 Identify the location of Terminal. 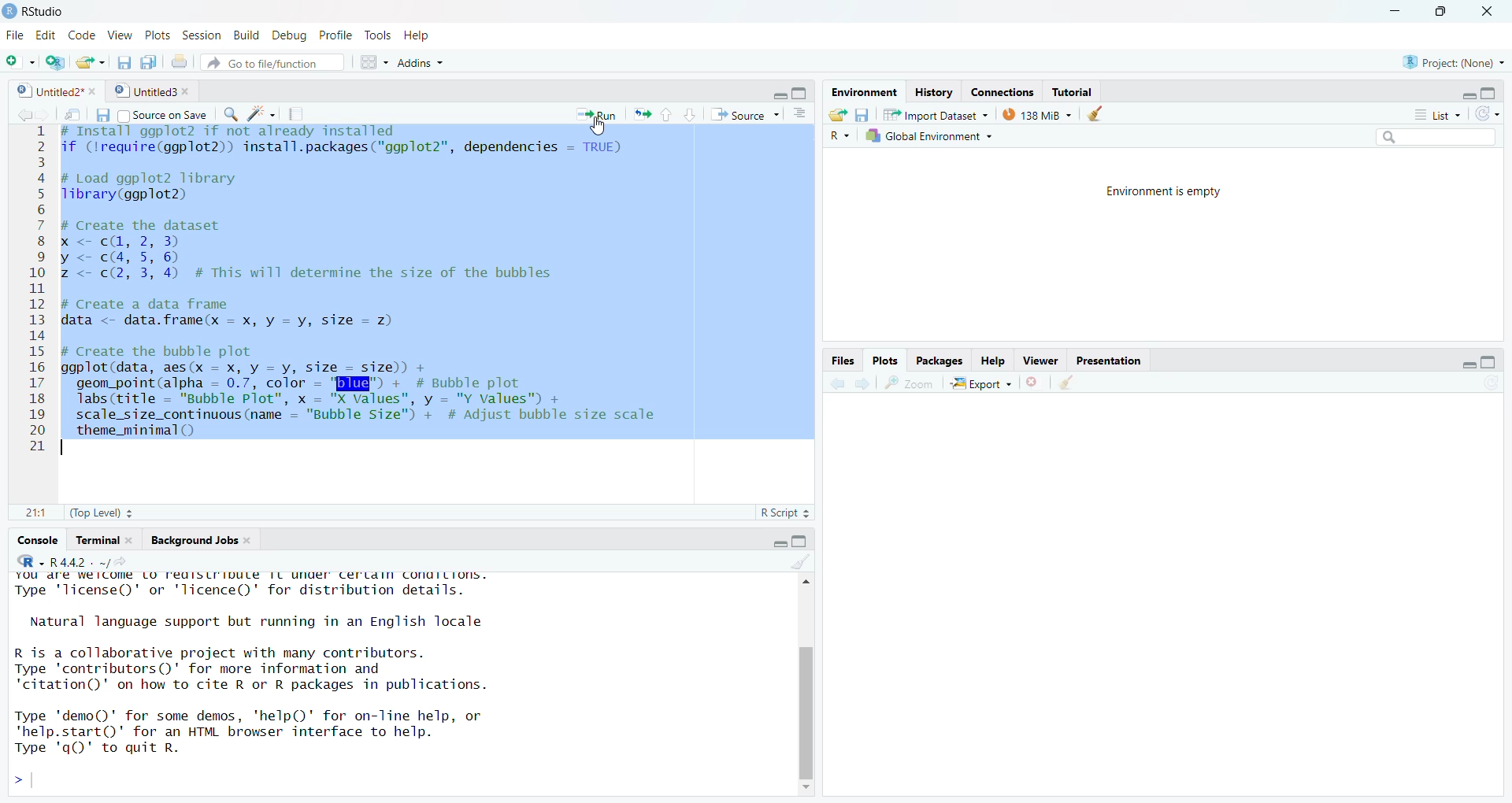
(101, 538).